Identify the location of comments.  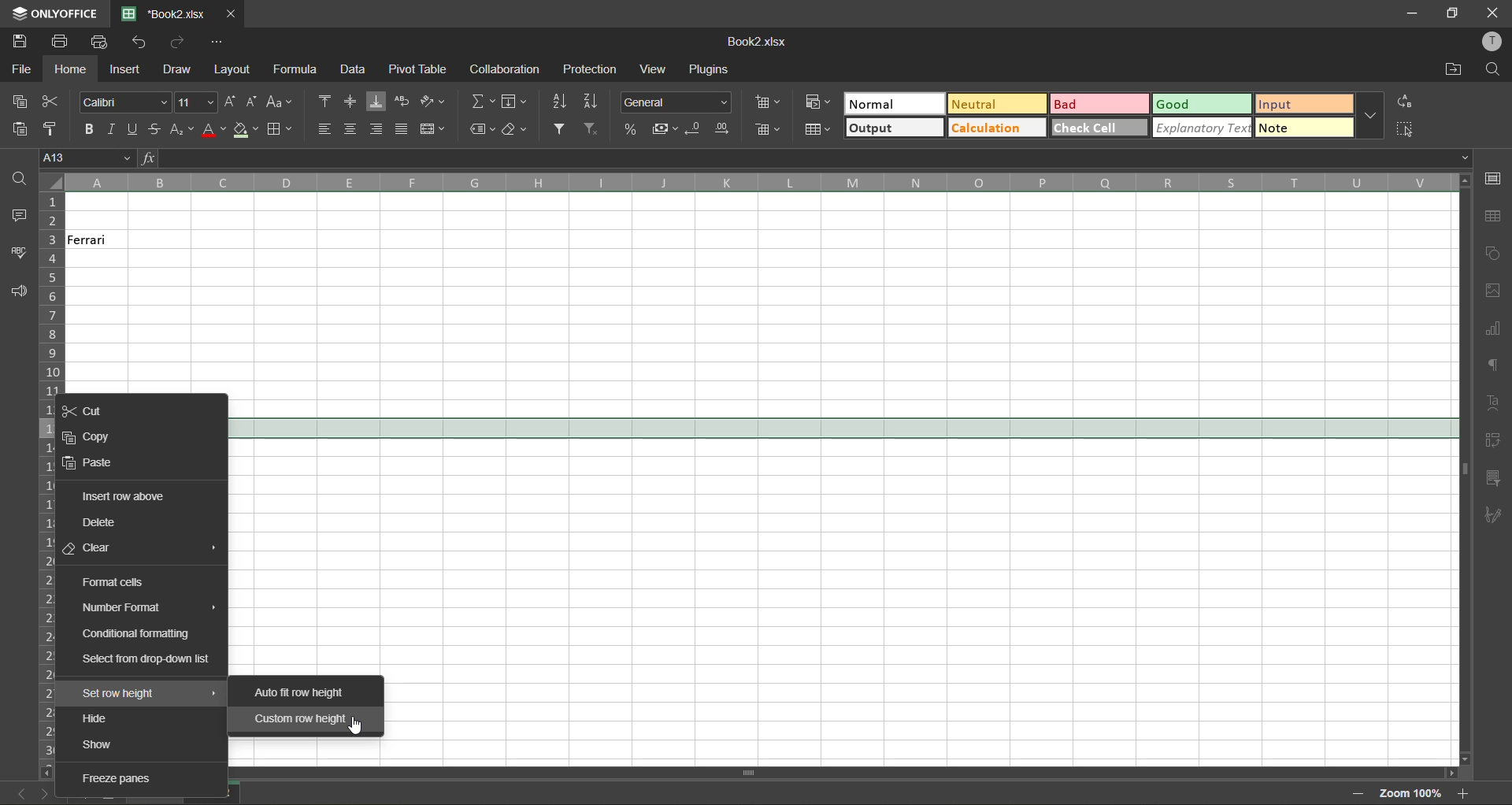
(16, 217).